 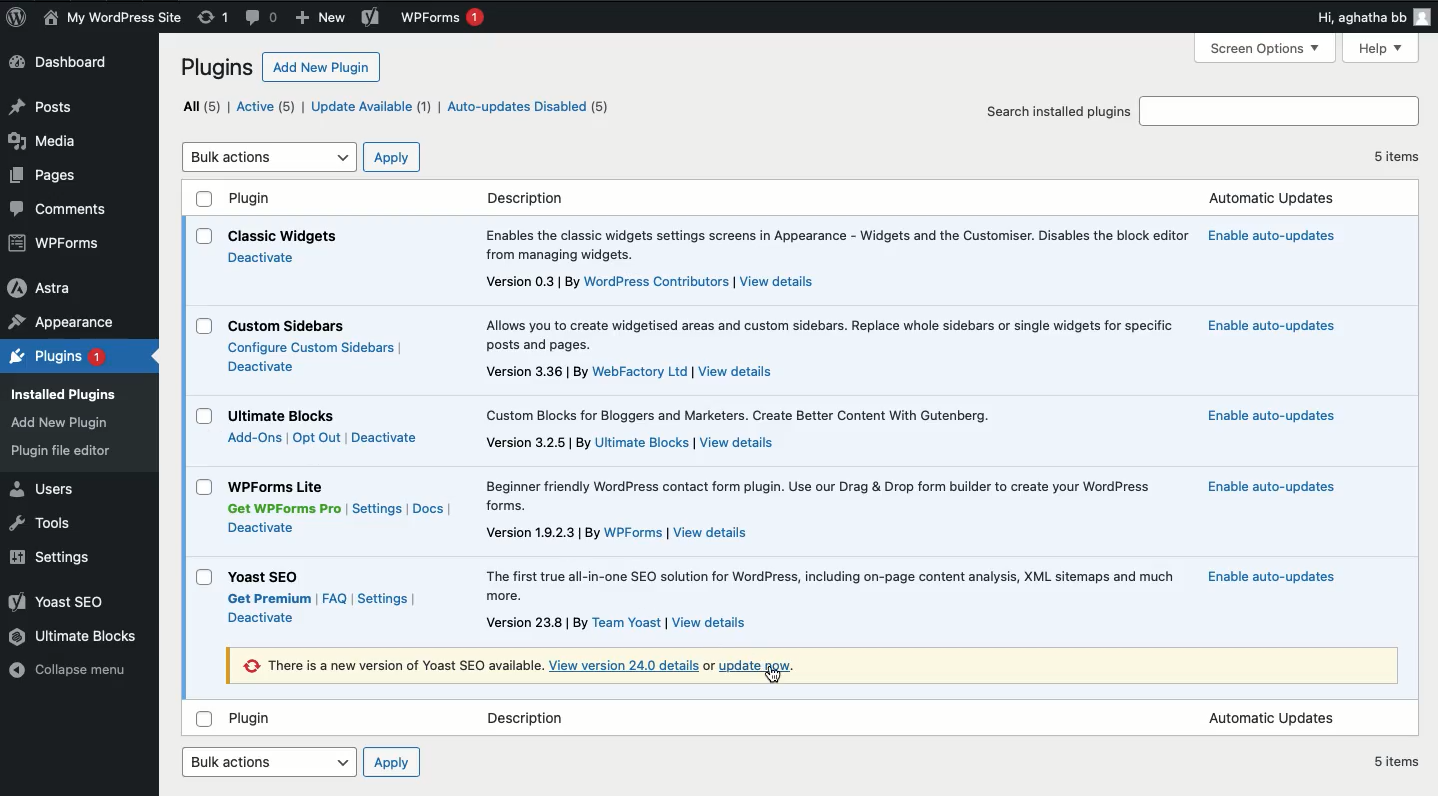 What do you see at coordinates (261, 366) in the screenshot?
I see `Deactive` at bounding box center [261, 366].